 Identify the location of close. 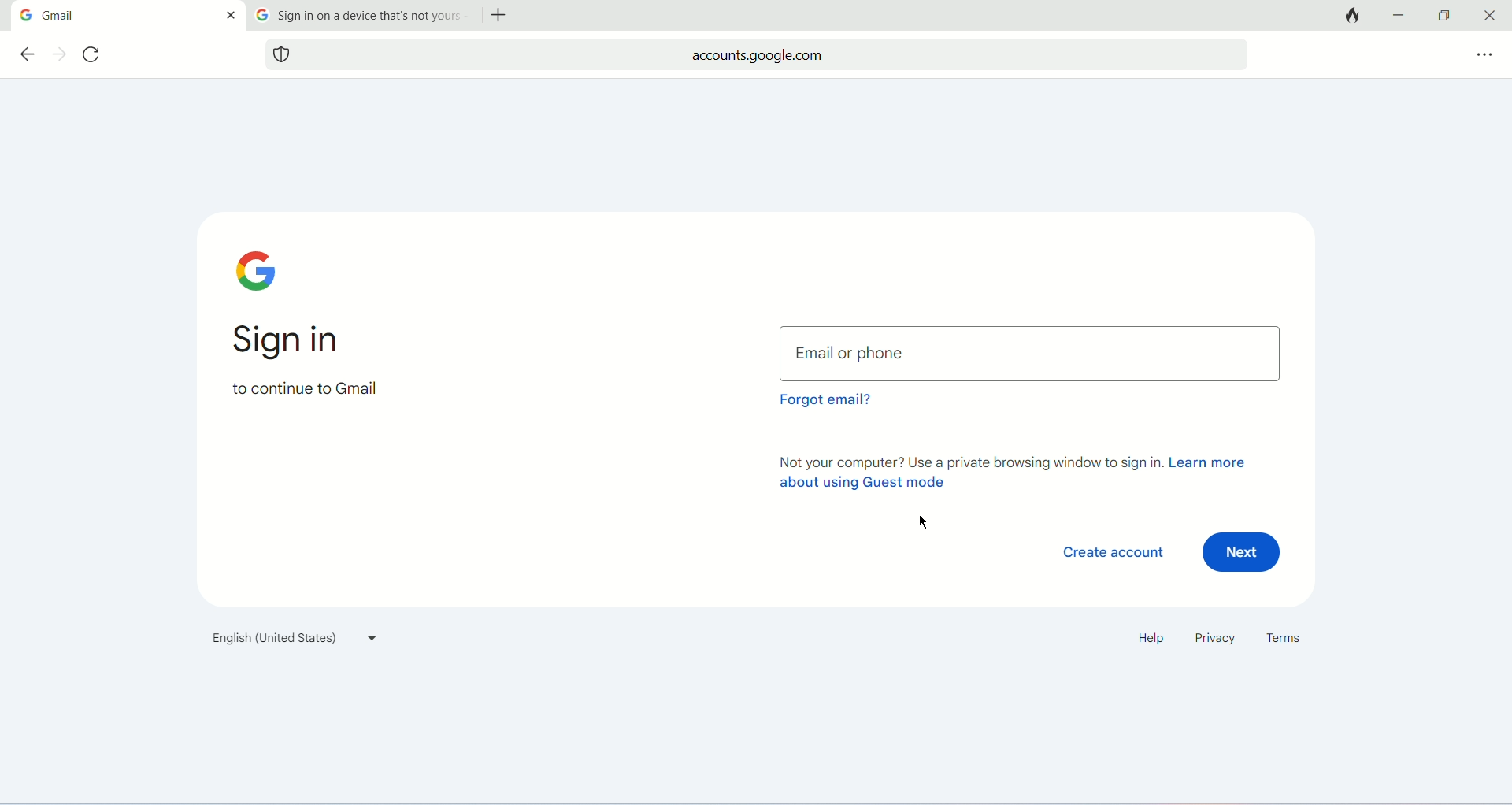
(1492, 14).